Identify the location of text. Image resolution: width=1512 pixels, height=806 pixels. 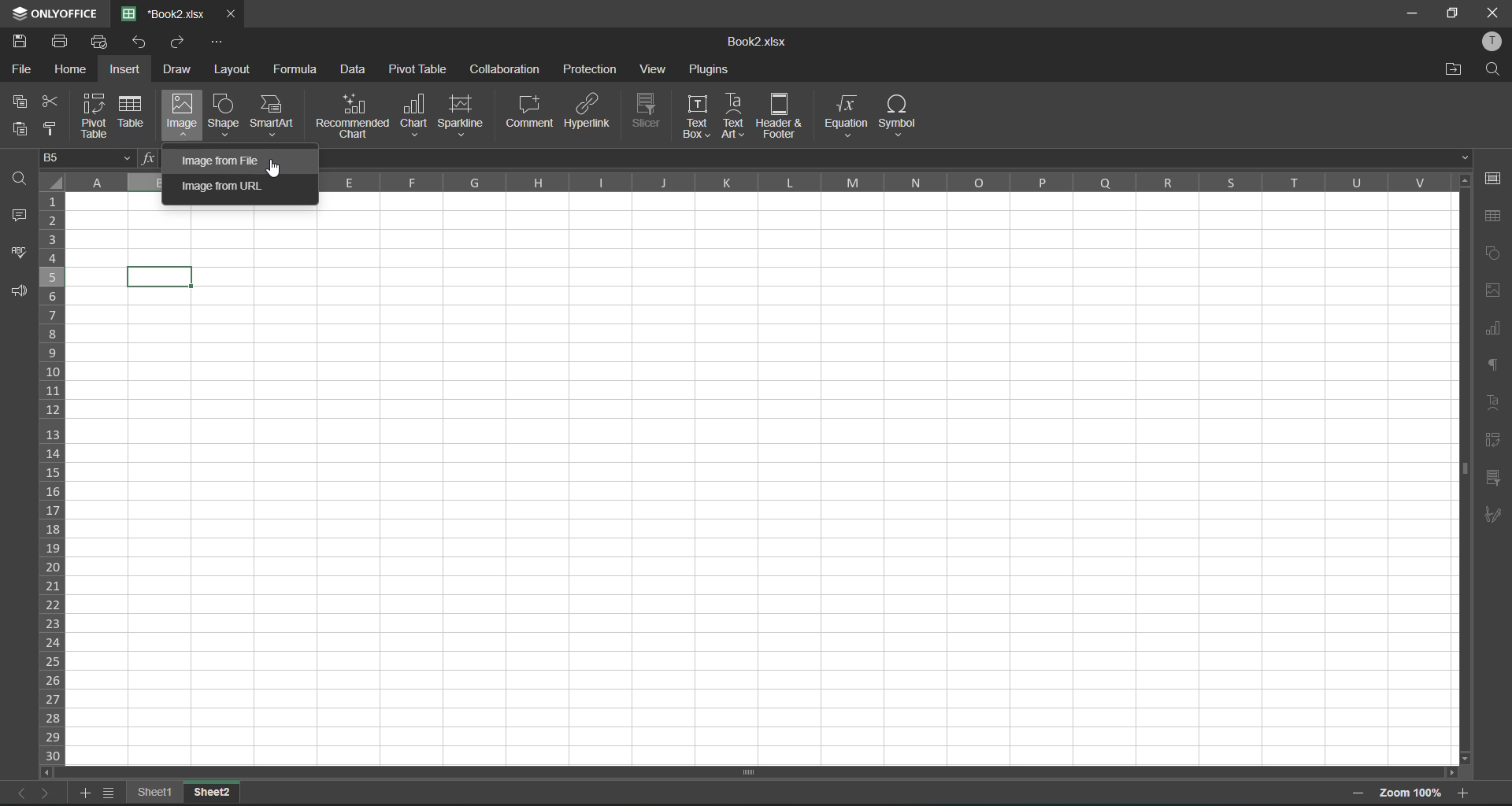
(1495, 404).